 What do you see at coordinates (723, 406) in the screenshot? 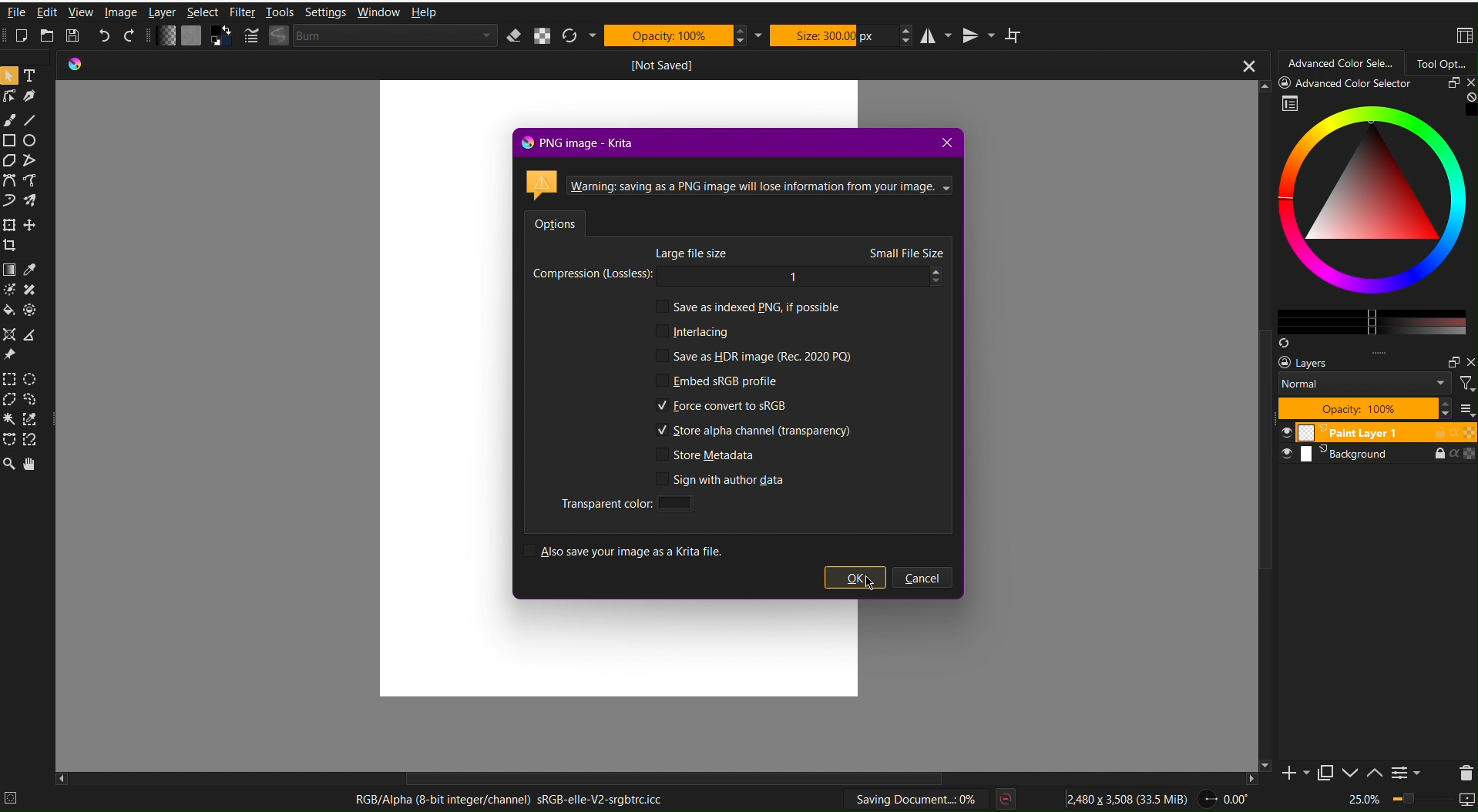
I see `Force convert to sRGB` at bounding box center [723, 406].